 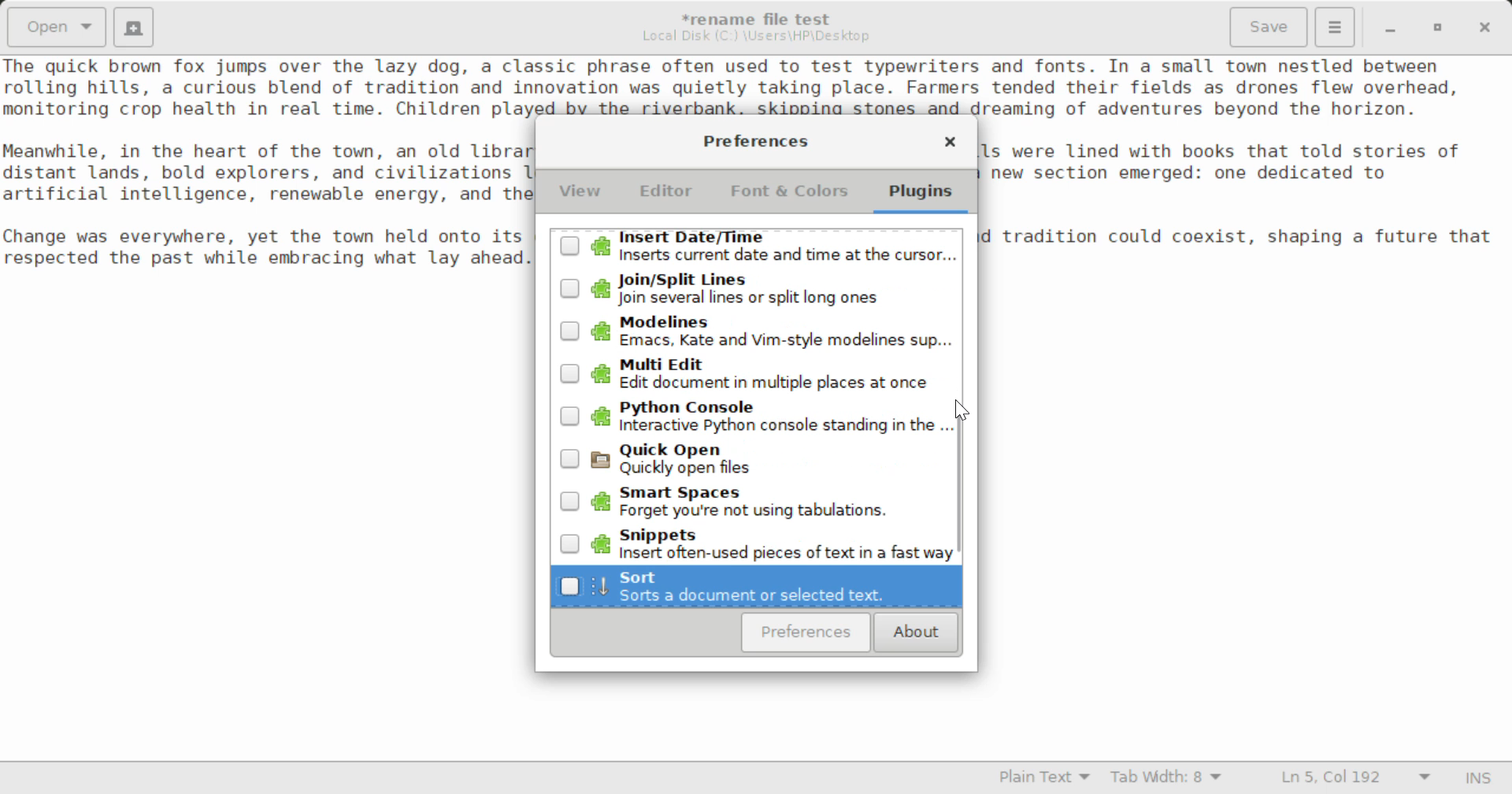 I want to click on Close Window, so click(x=1487, y=26).